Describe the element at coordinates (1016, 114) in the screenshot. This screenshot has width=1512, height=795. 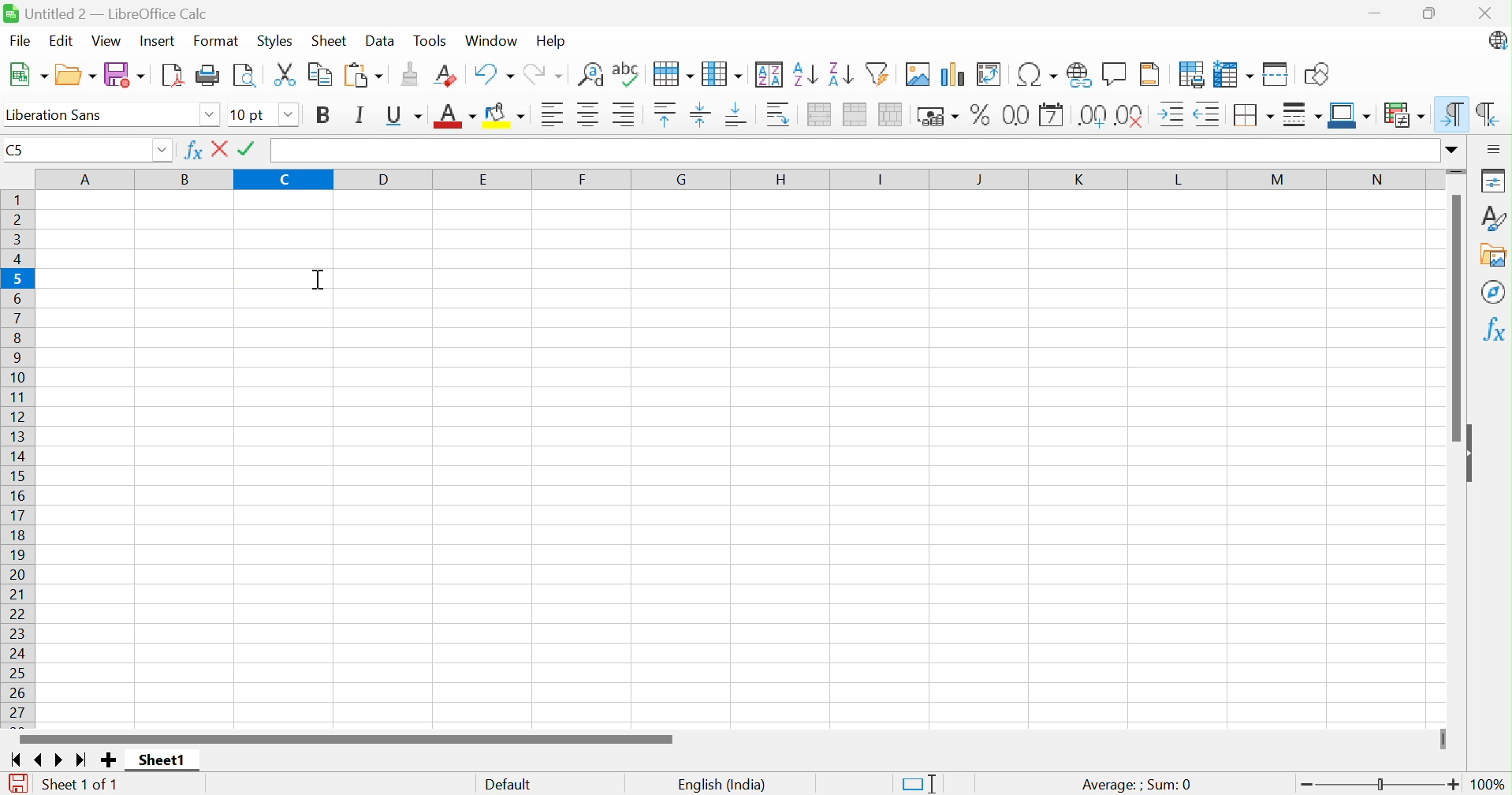
I see `Format as number` at that location.